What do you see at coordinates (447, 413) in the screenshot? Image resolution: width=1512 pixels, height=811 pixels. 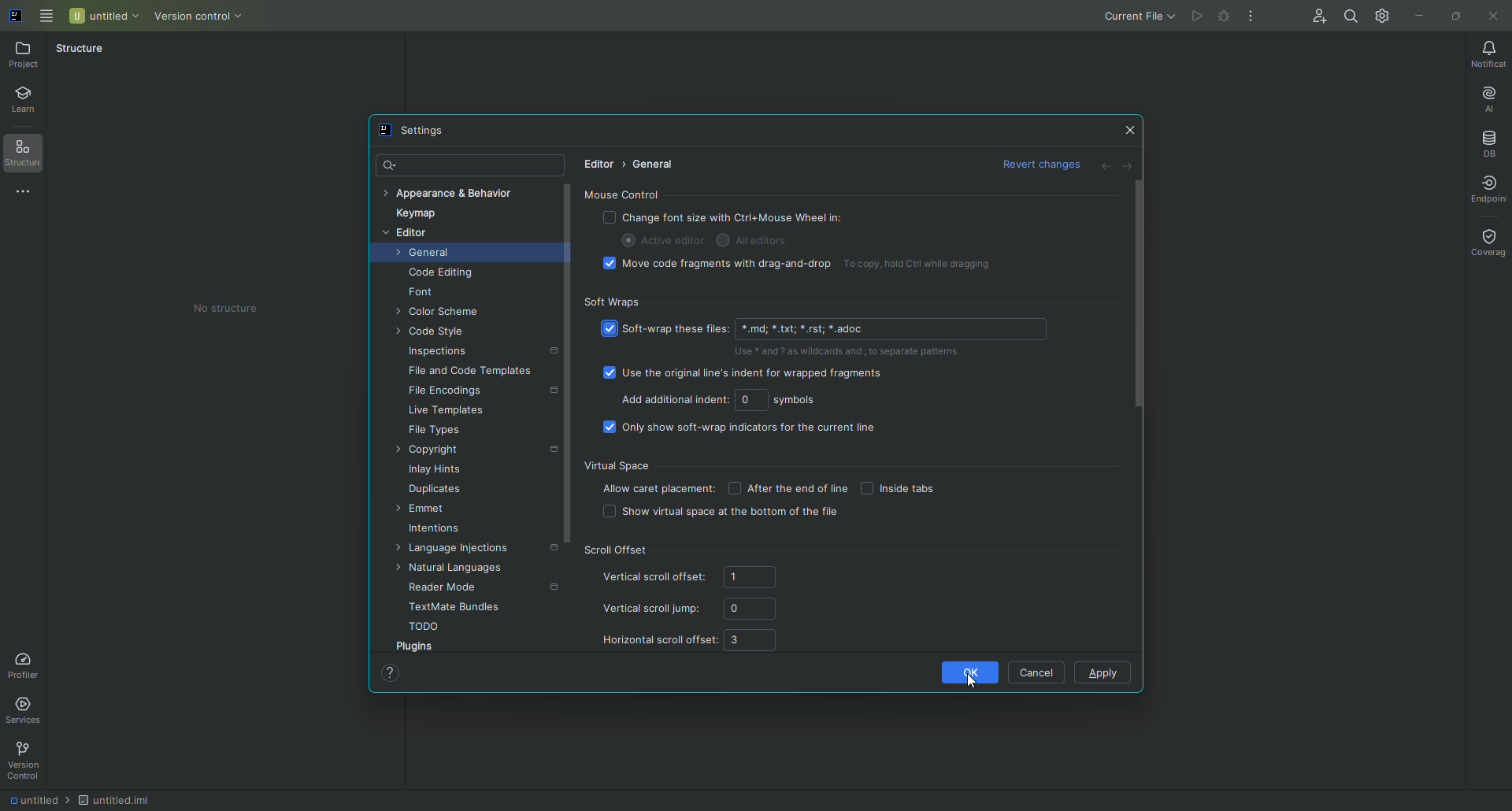 I see `Live Templates` at bounding box center [447, 413].